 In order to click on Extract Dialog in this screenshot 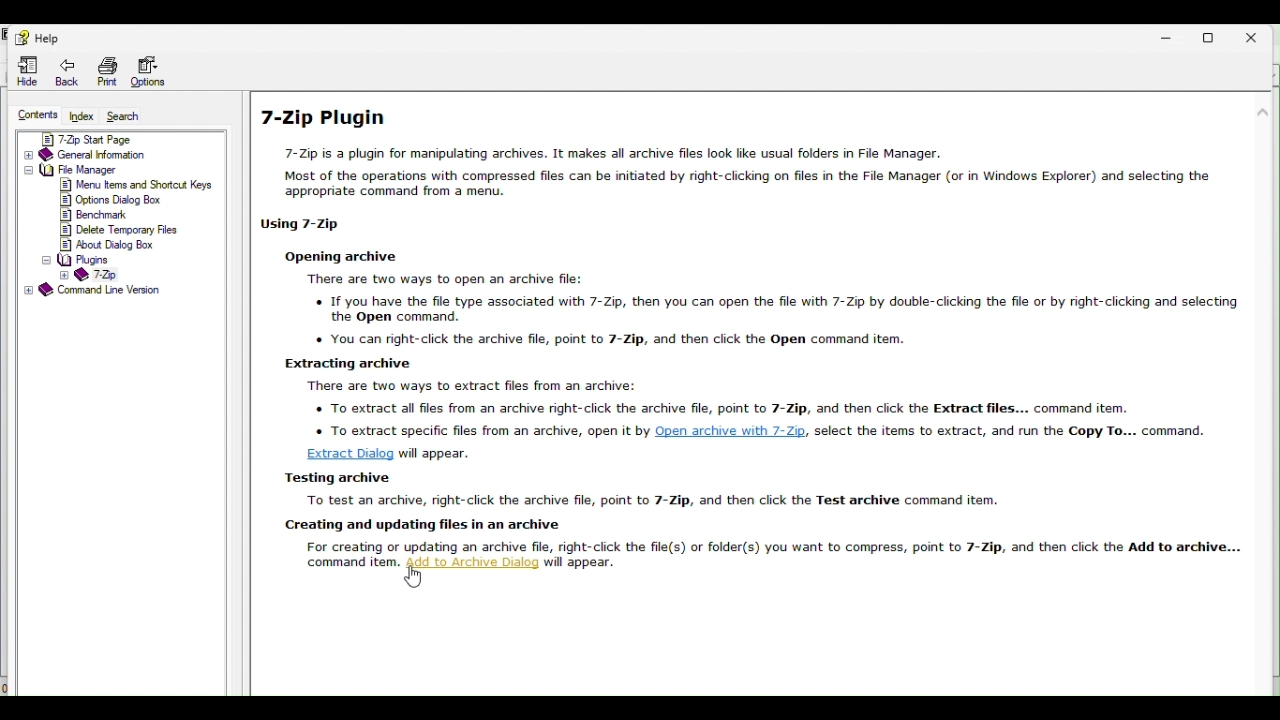, I will do `click(349, 453)`.